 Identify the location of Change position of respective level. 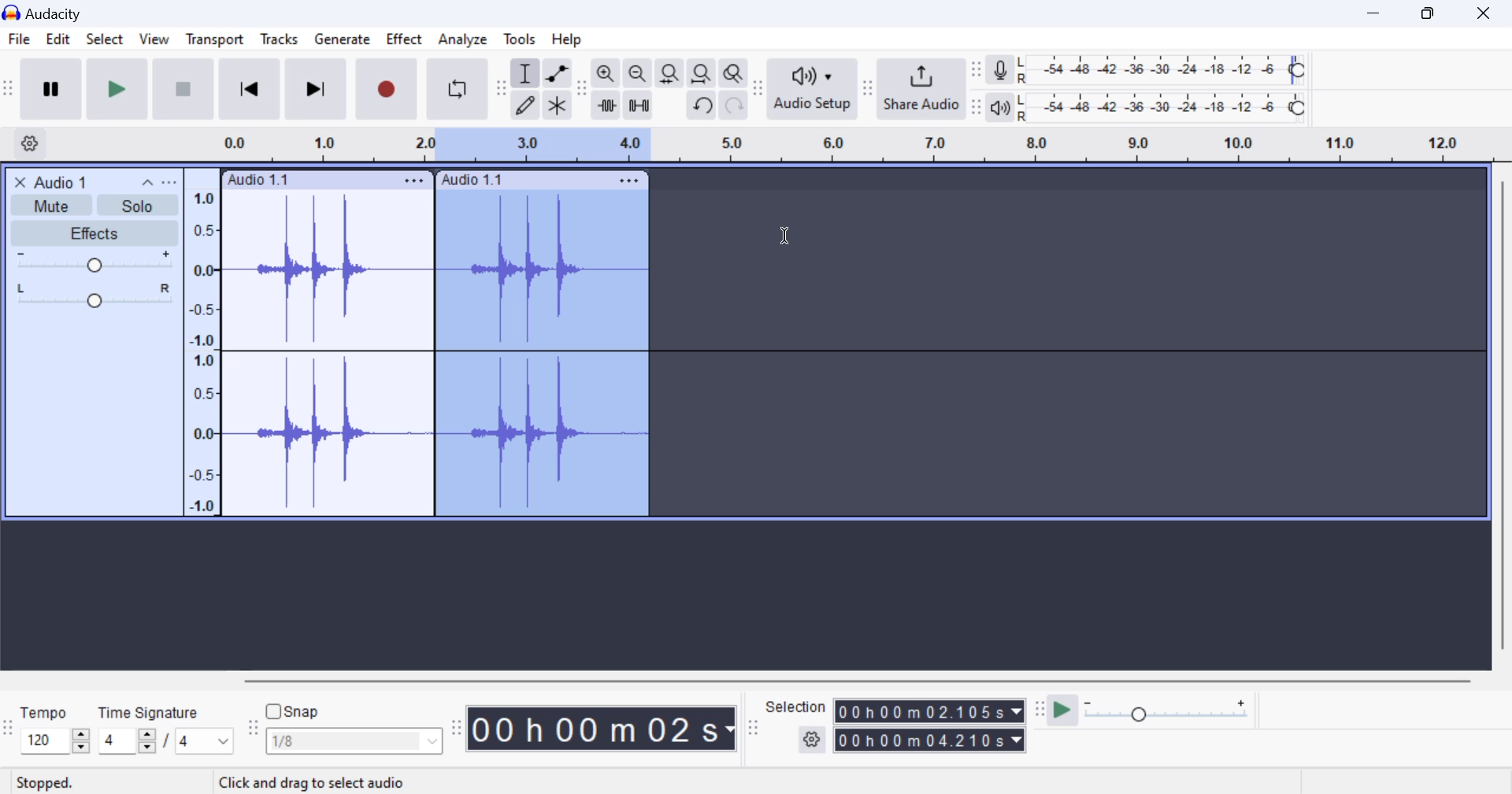
(977, 88).